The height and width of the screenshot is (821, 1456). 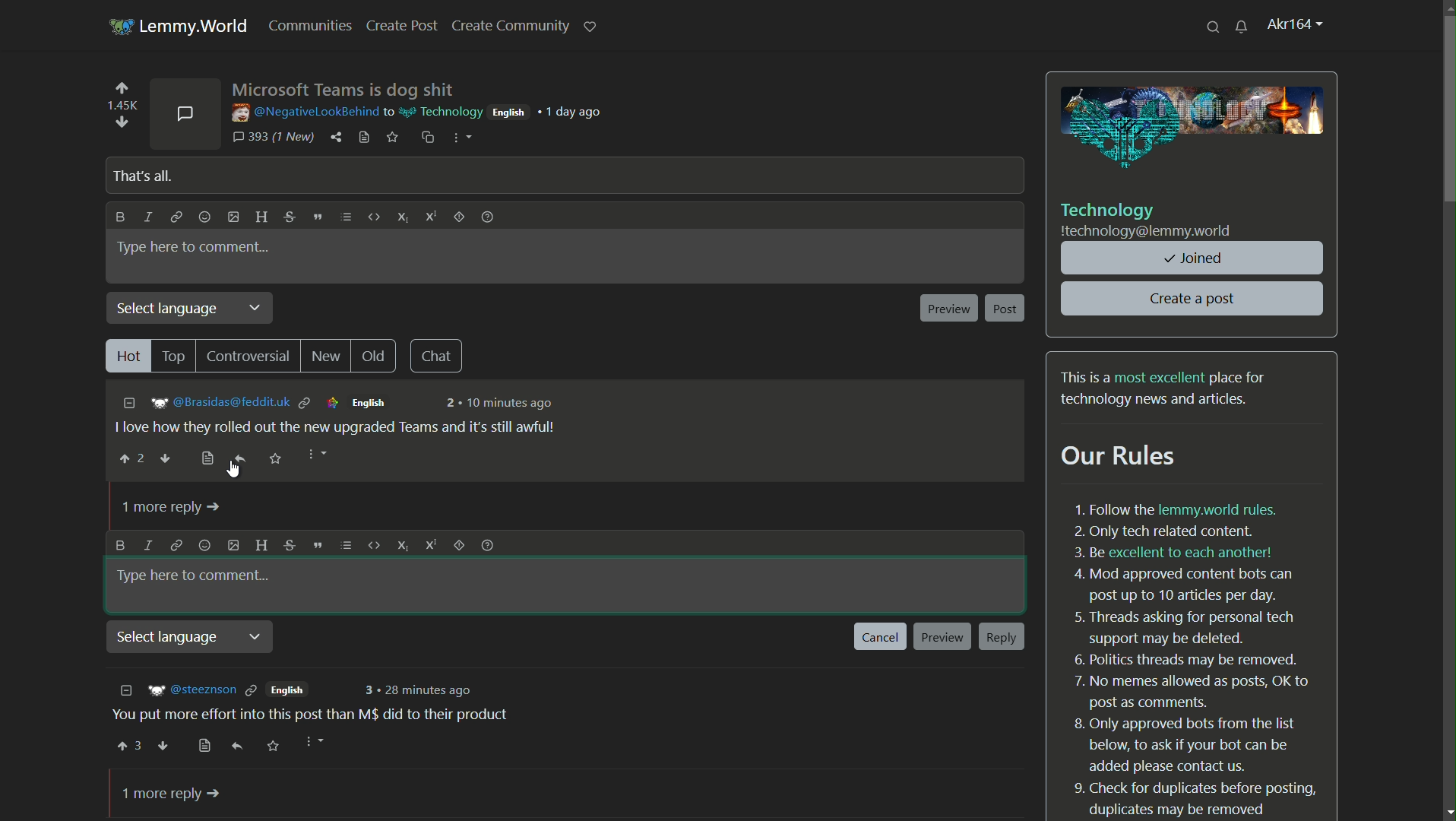 I want to click on more options, so click(x=459, y=138).